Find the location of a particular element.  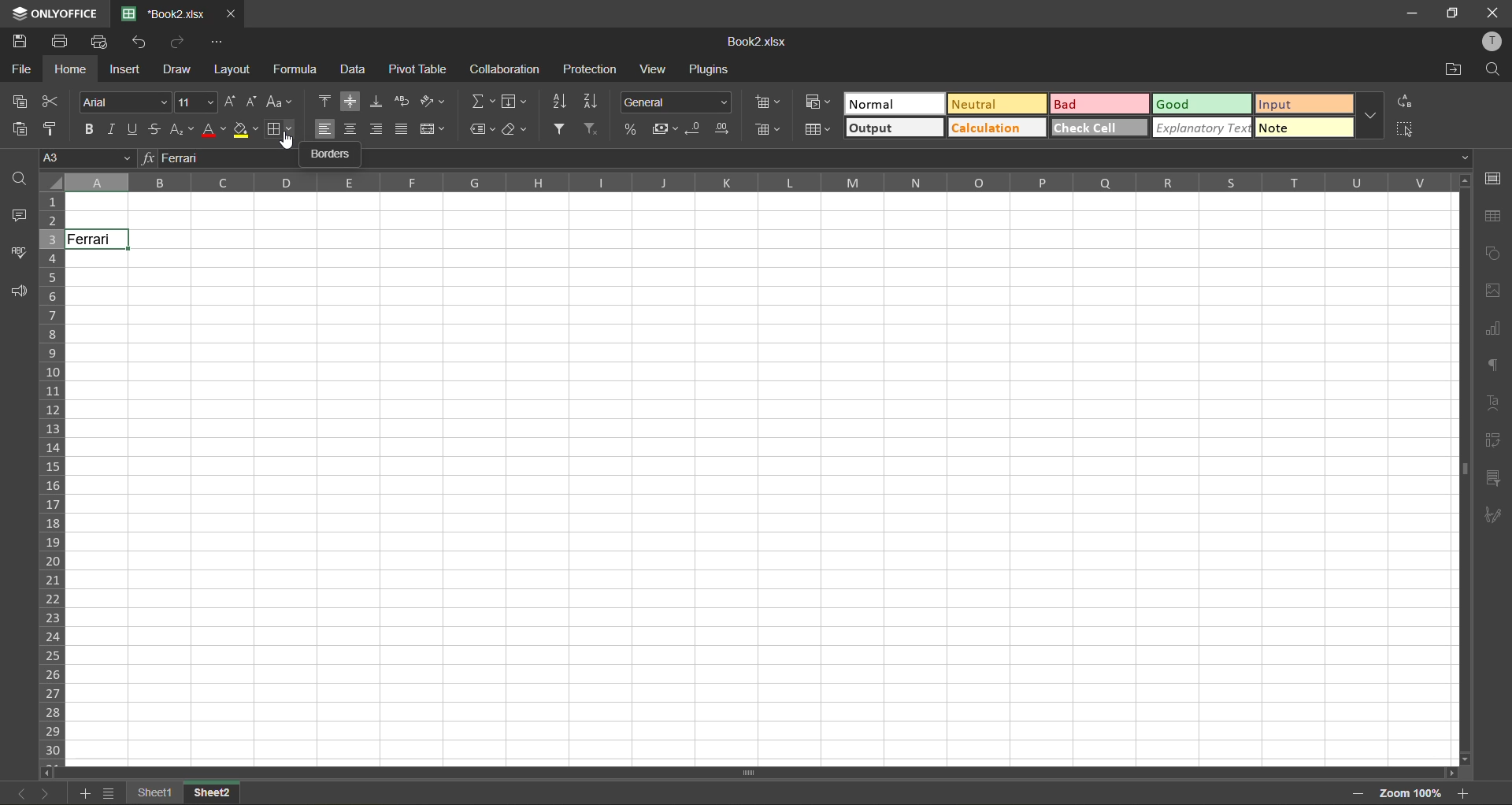

Input area is located at coordinates (765, 507).